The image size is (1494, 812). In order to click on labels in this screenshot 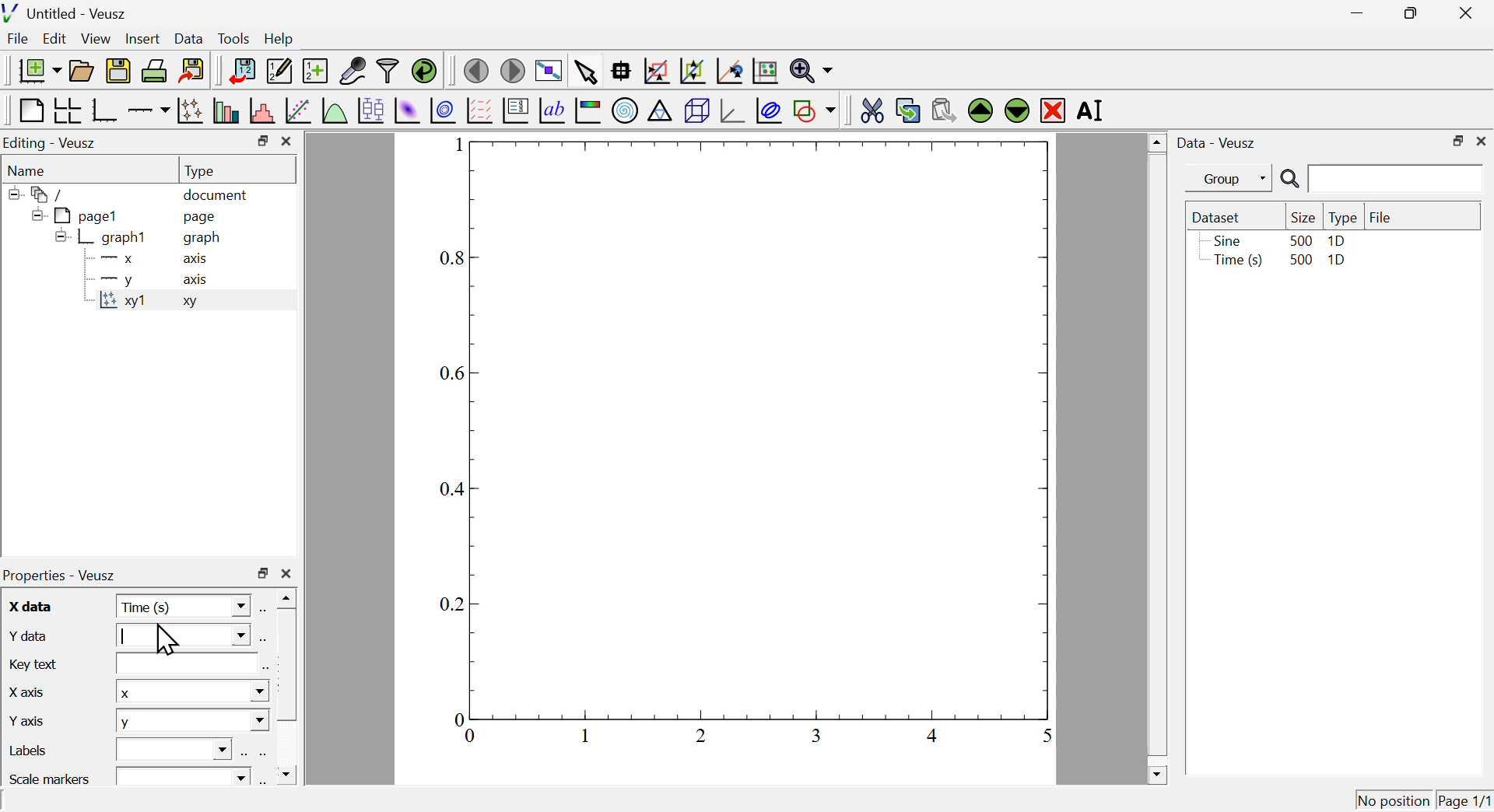, I will do `click(31, 751)`.